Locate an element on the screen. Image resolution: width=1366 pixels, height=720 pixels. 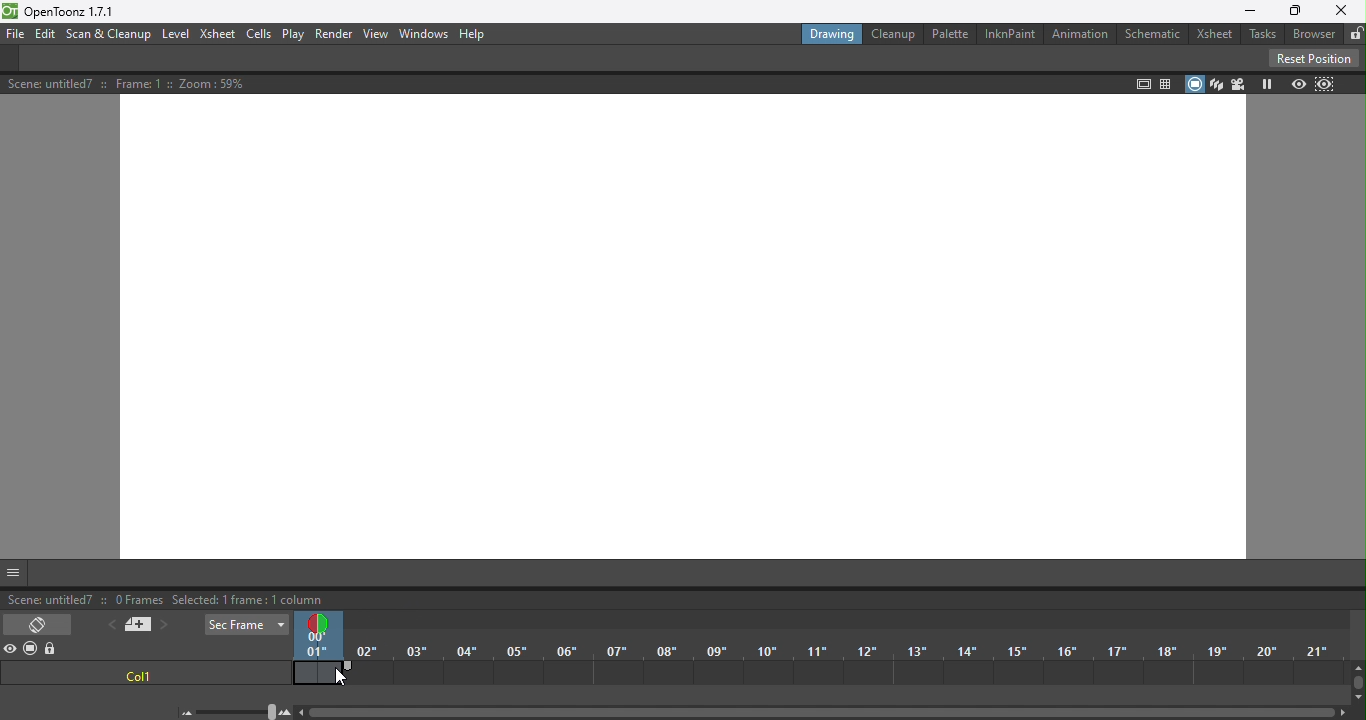
Freeze is located at coordinates (1265, 84).